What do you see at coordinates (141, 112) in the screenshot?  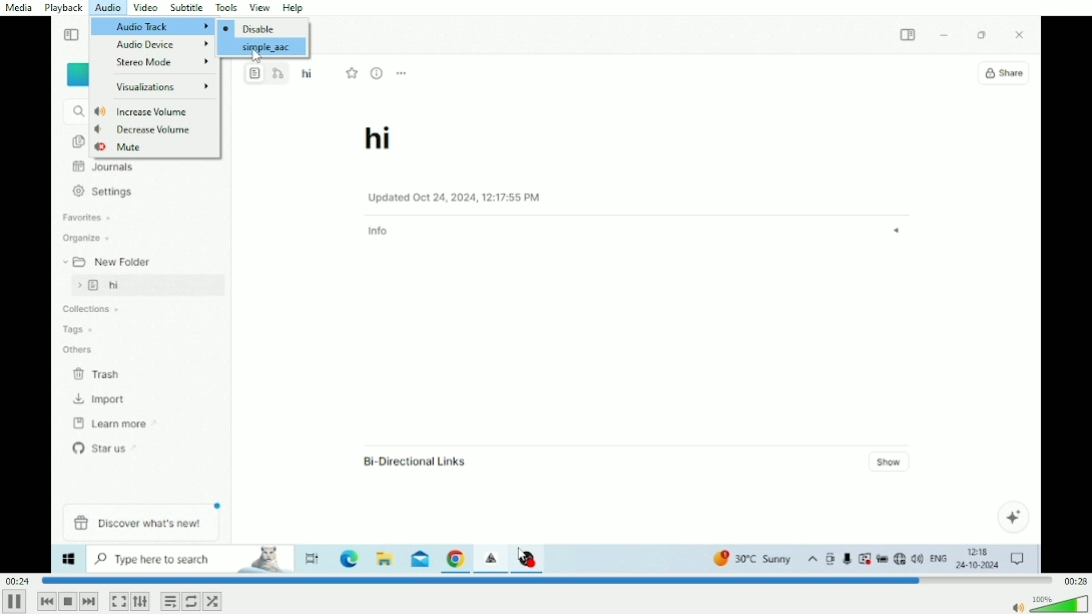 I see `Increase Volume` at bounding box center [141, 112].